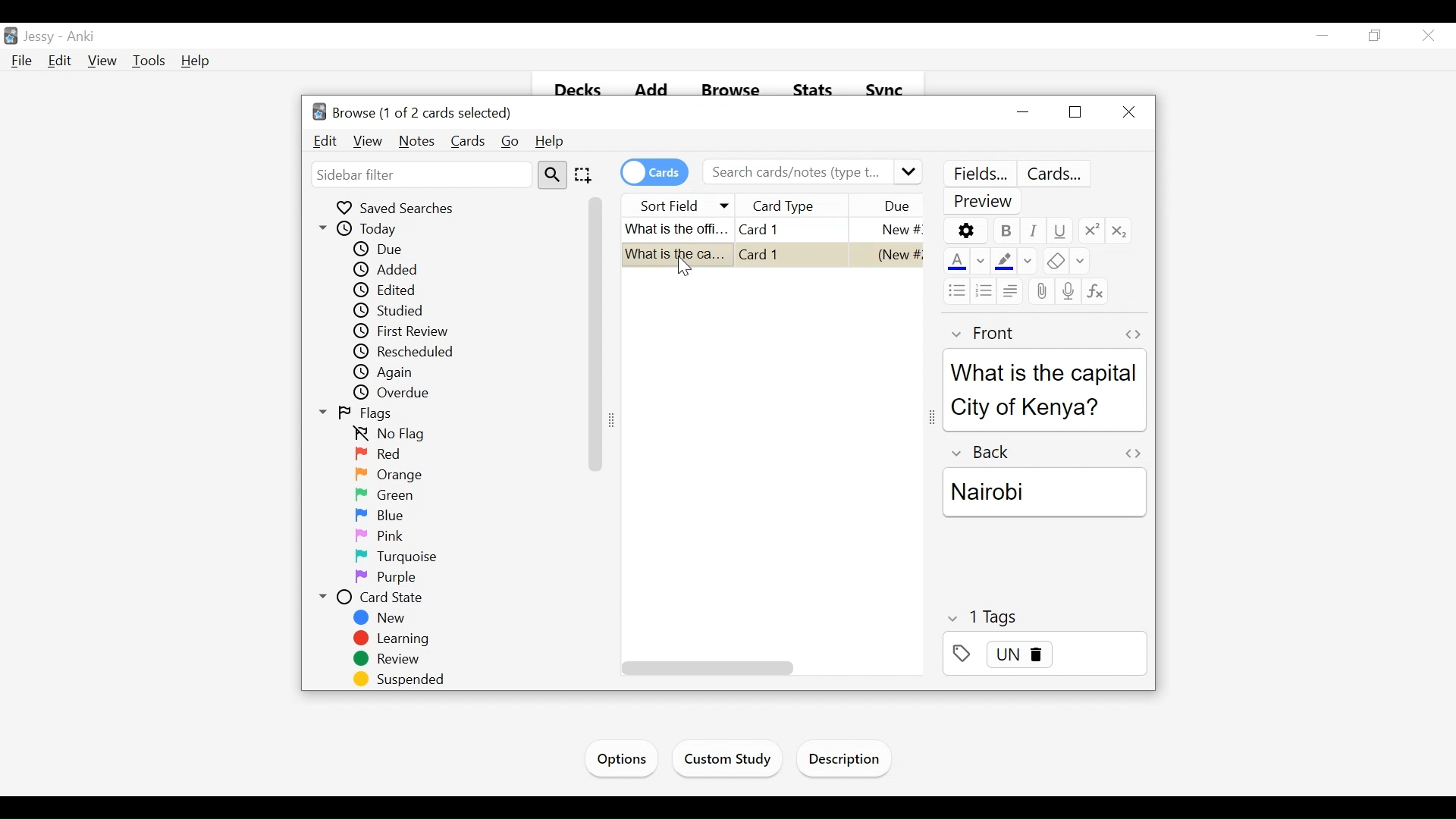 This screenshot has width=1456, height=819. What do you see at coordinates (24, 61) in the screenshot?
I see `File` at bounding box center [24, 61].